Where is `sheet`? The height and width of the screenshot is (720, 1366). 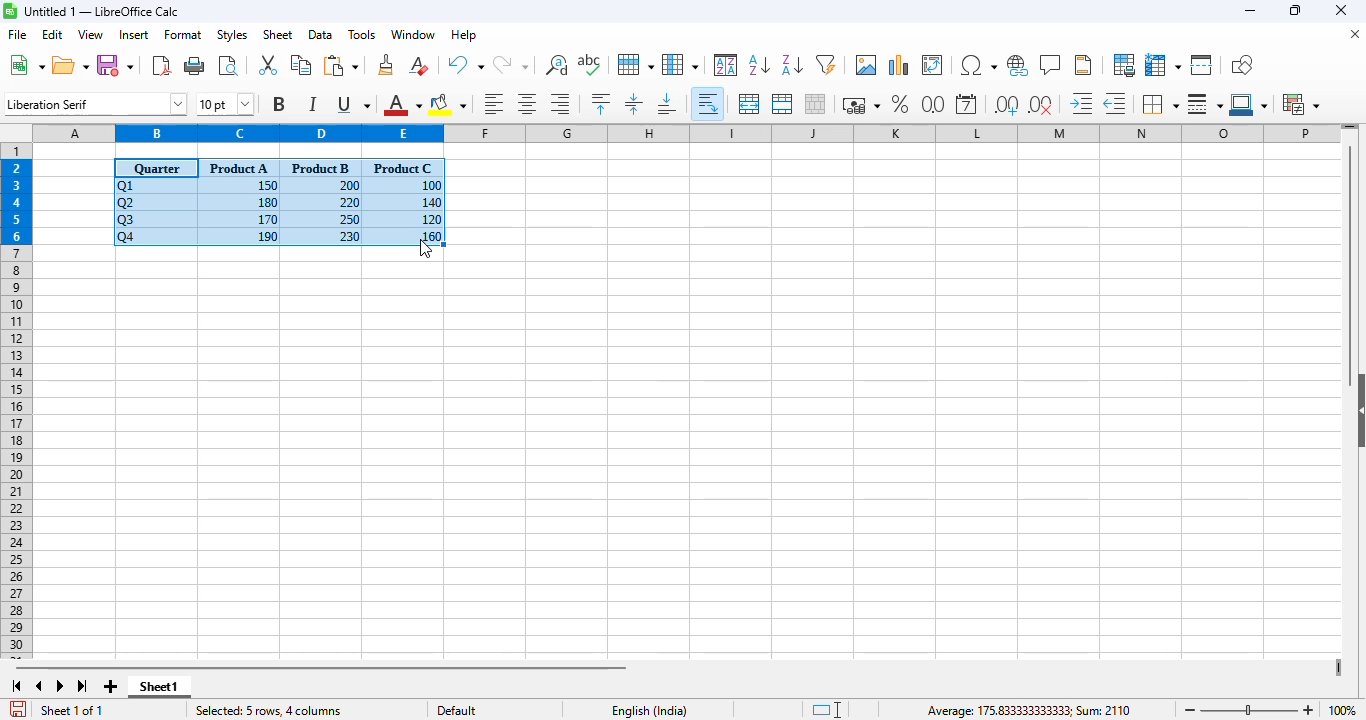
sheet is located at coordinates (277, 35).